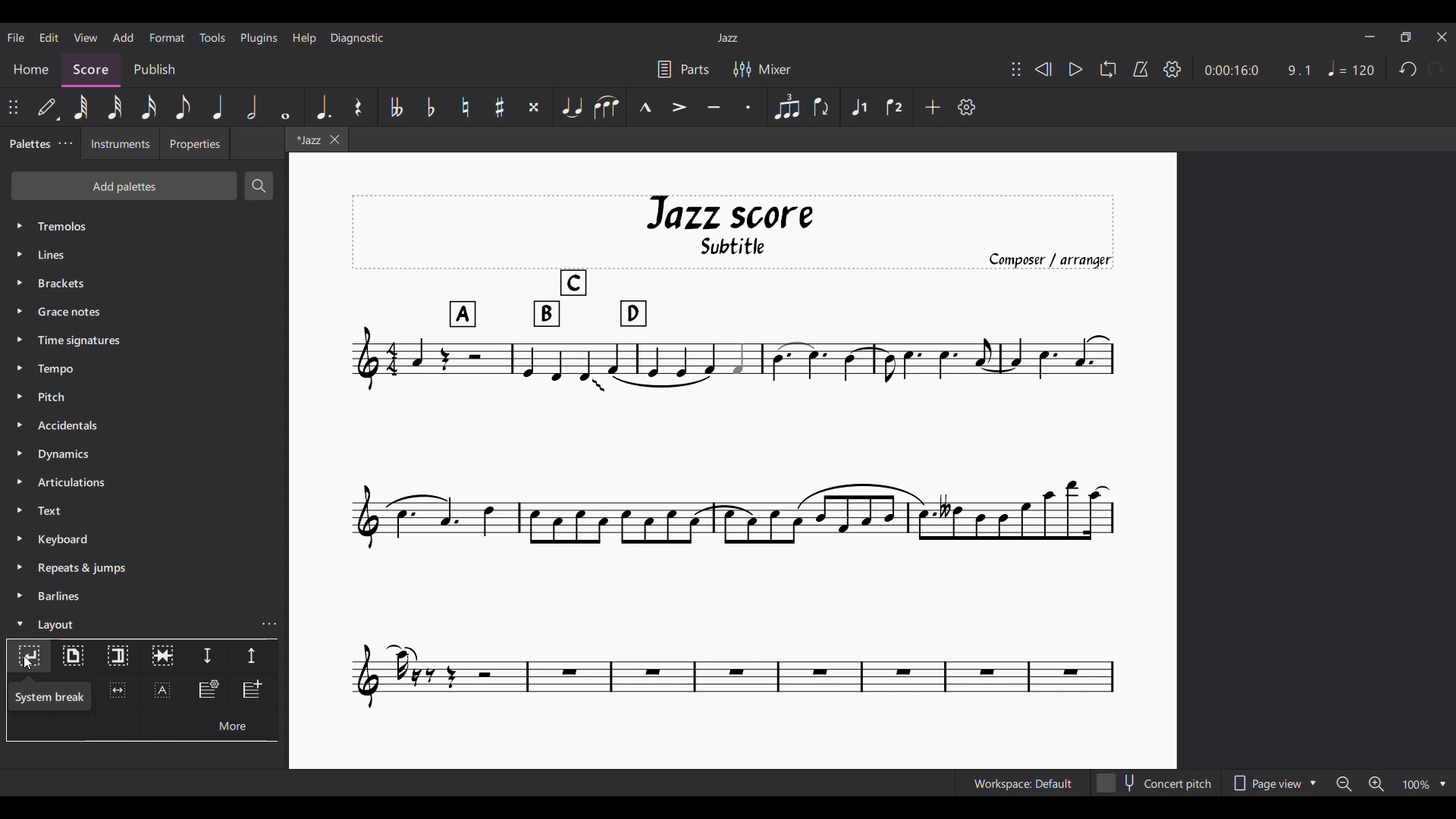 Image resolution: width=1456 pixels, height=819 pixels. Describe the element at coordinates (821, 107) in the screenshot. I see `Flip direction` at that location.